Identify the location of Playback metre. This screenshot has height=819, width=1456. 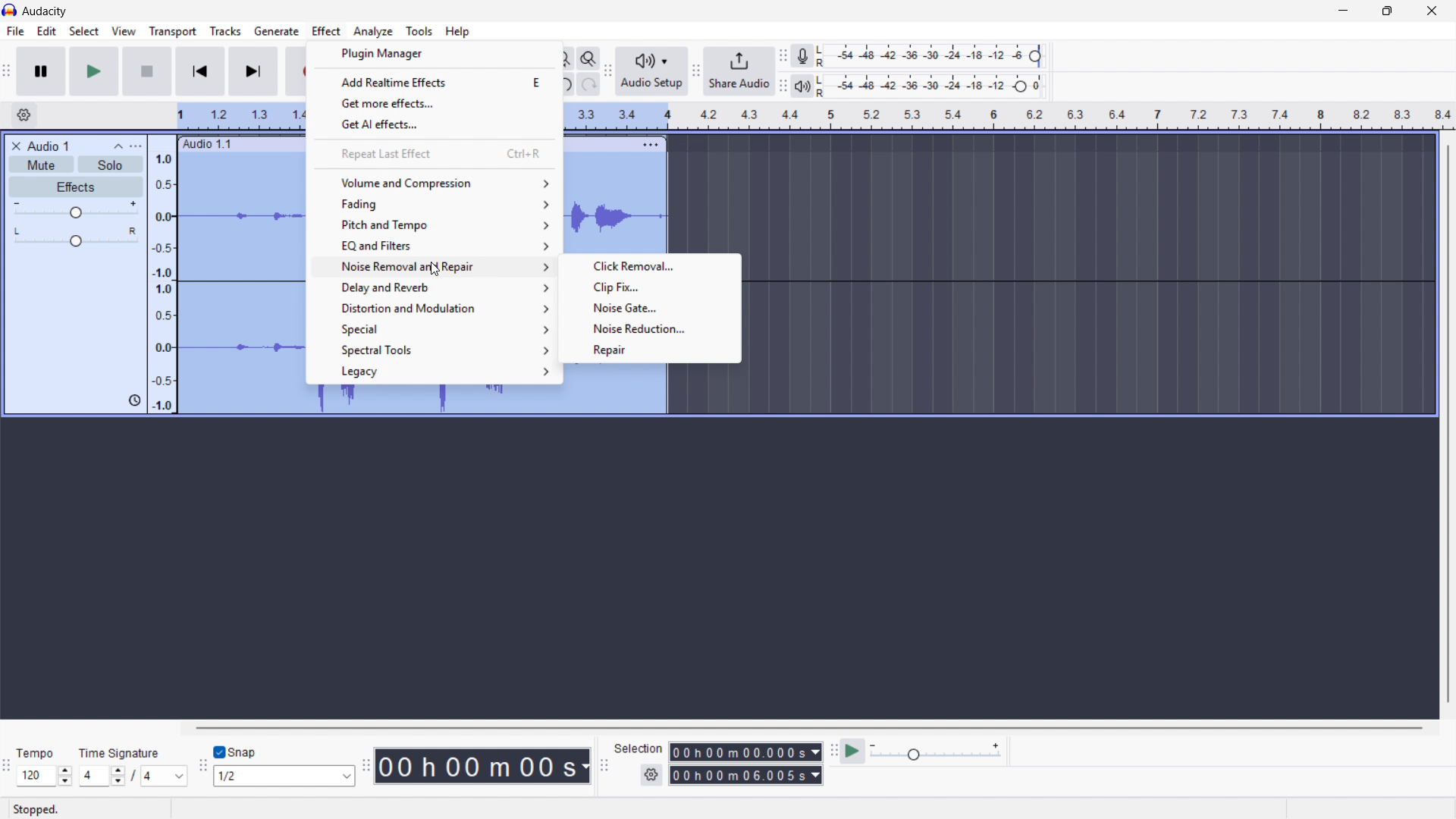
(804, 86).